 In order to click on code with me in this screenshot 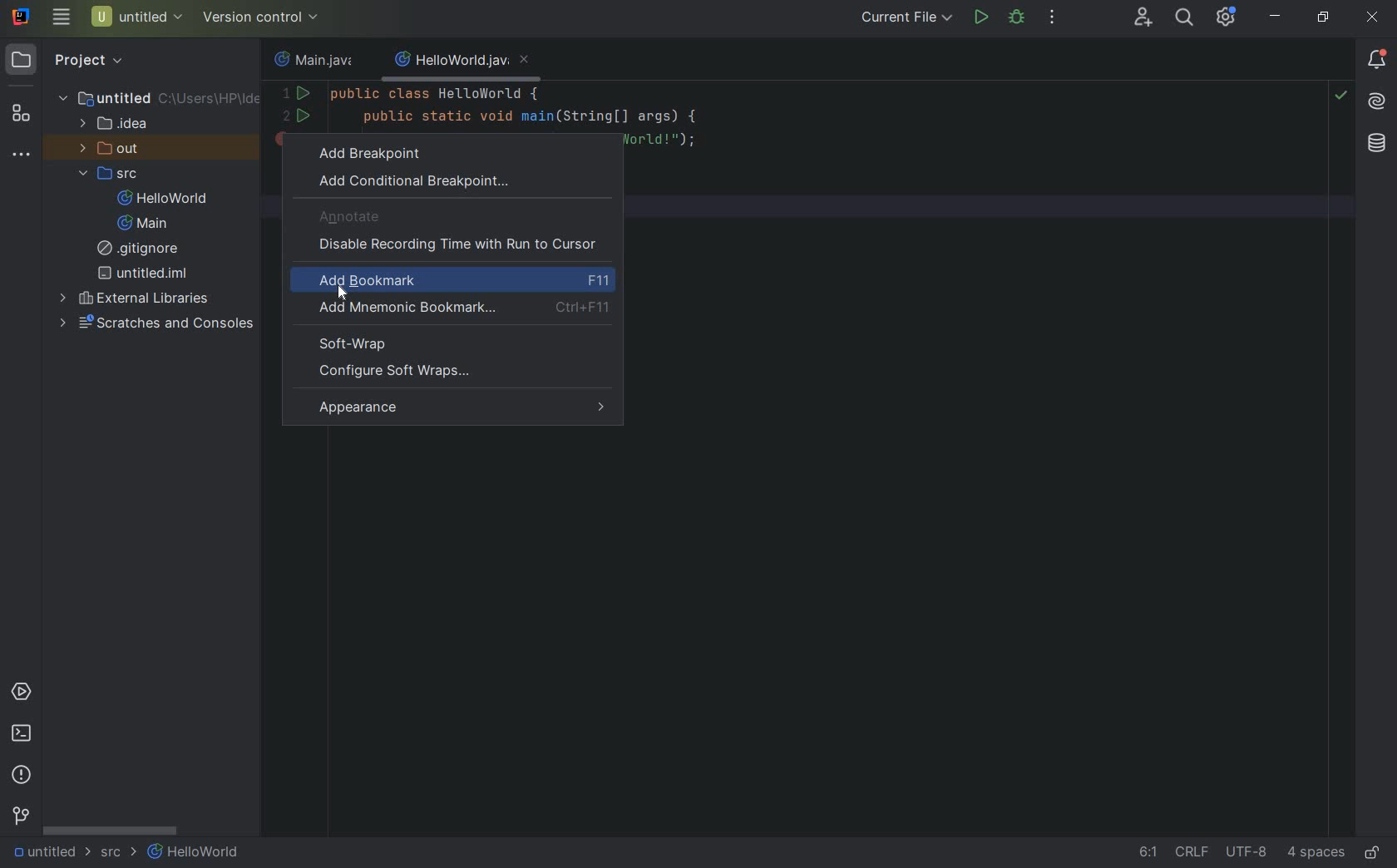, I will do `click(1144, 18)`.